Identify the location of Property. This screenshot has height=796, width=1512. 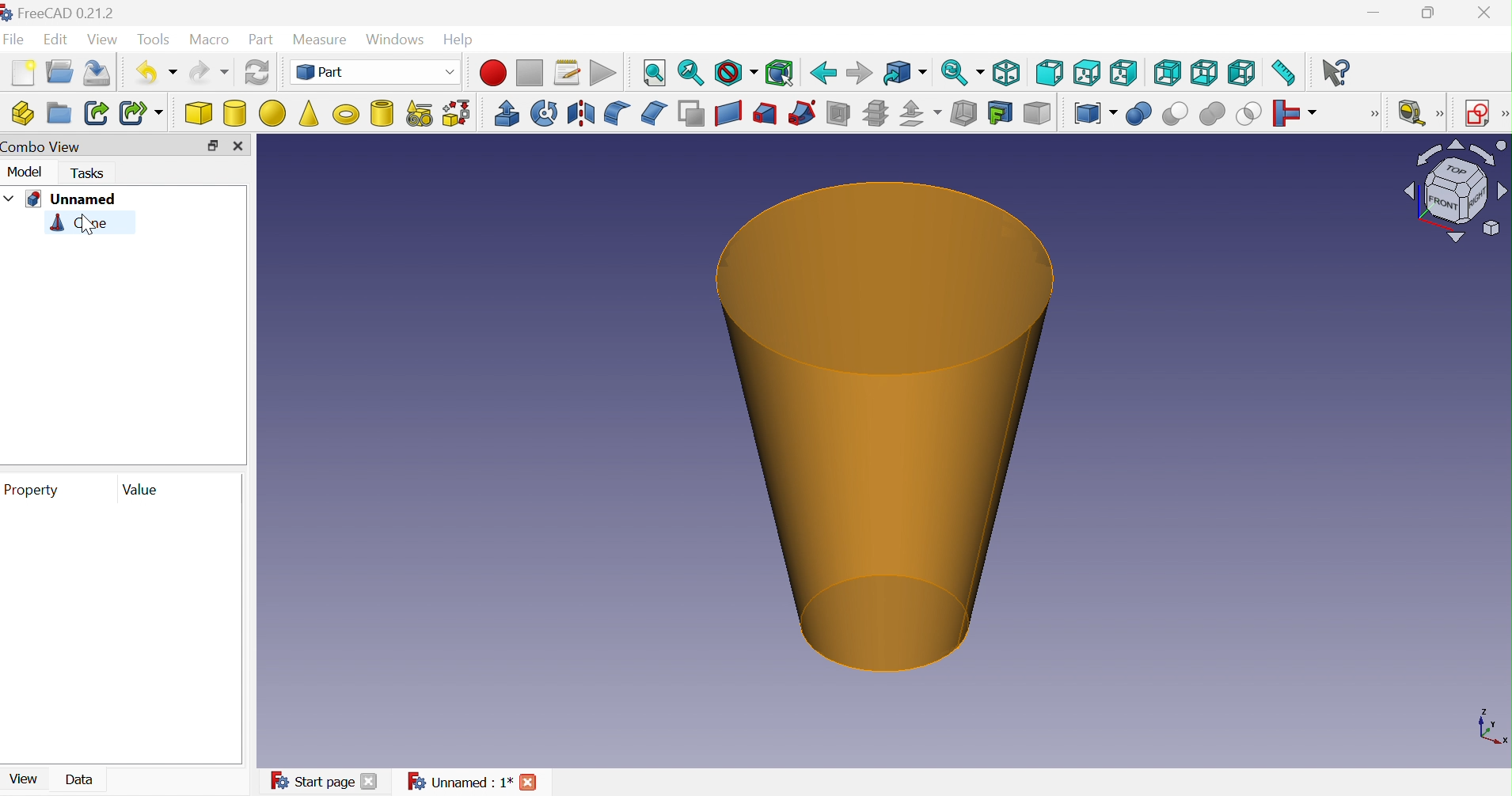
(36, 490).